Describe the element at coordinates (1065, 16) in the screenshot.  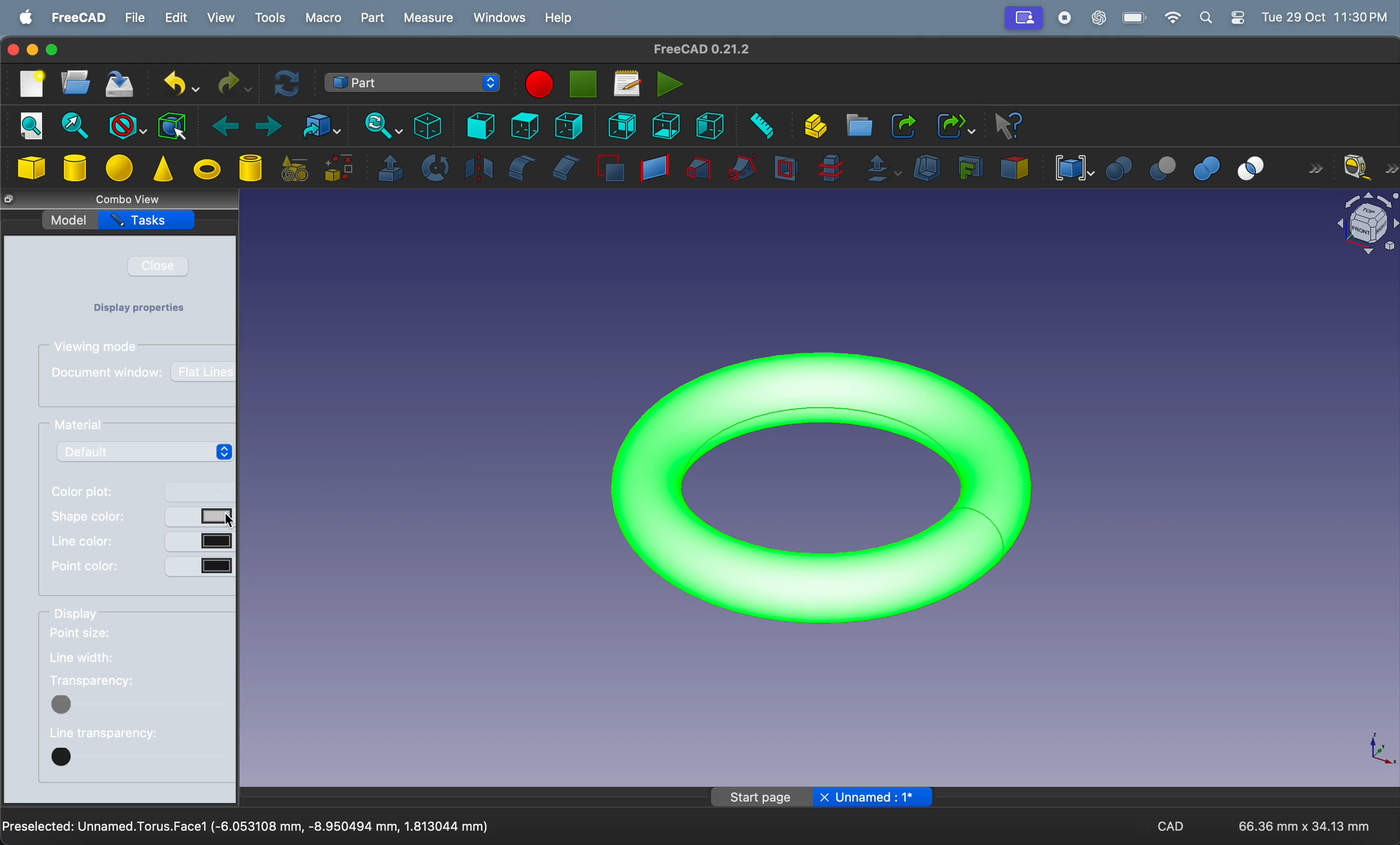
I see `record` at that location.